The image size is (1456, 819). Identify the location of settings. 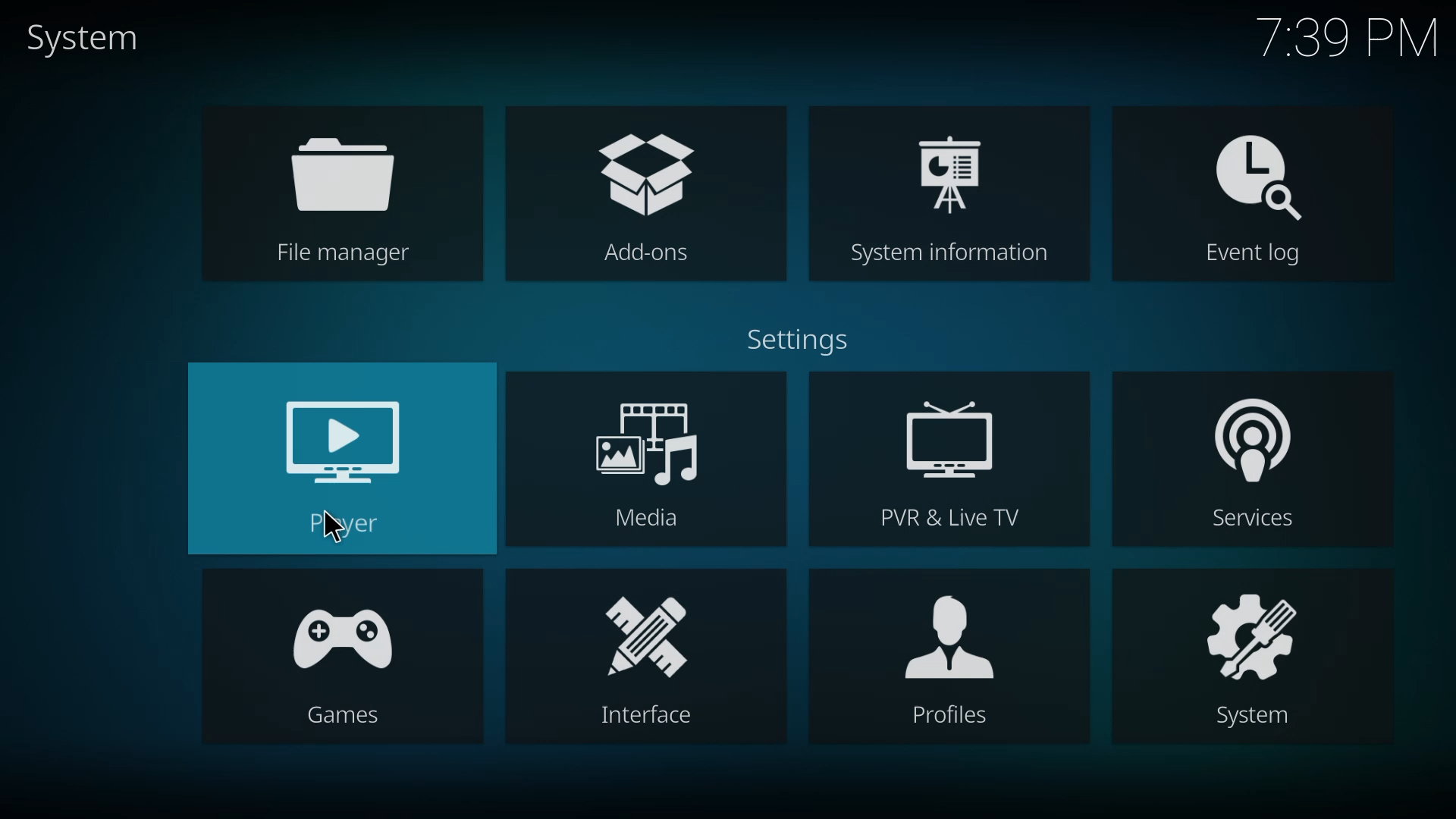
(806, 338).